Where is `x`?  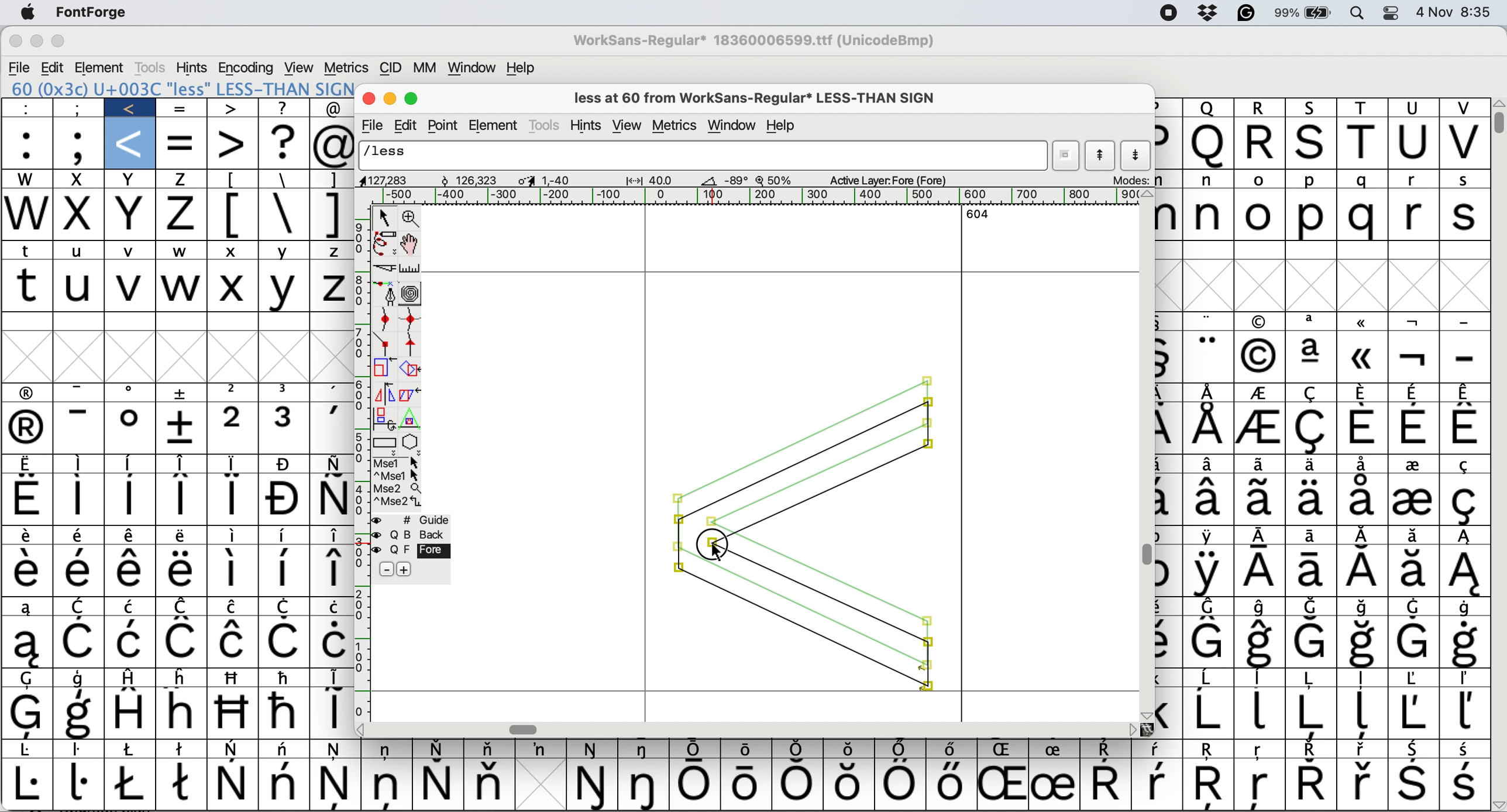
x is located at coordinates (131, 180).